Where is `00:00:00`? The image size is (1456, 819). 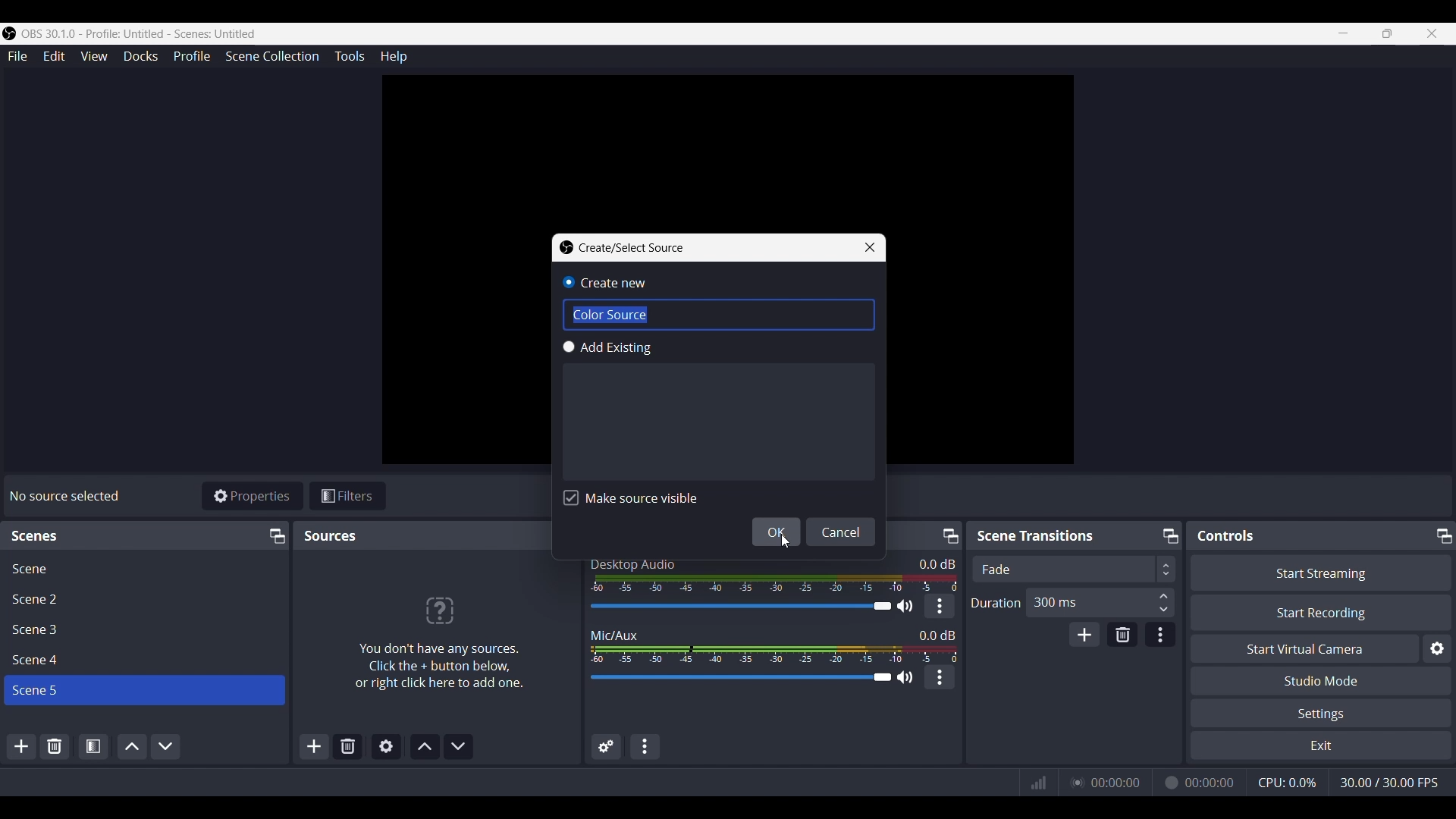
00:00:00 is located at coordinates (1211, 783).